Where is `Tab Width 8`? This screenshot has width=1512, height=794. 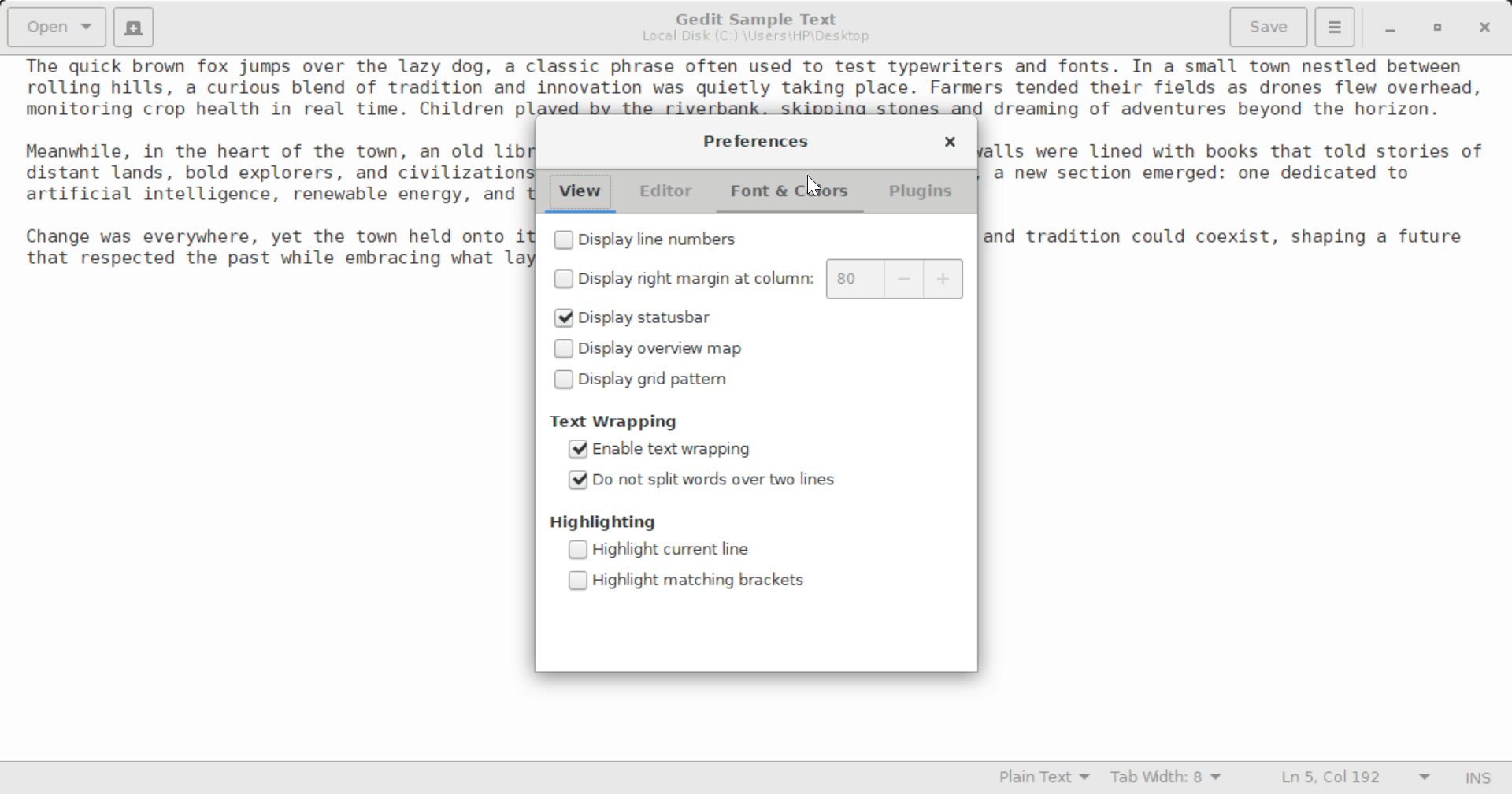 Tab Width 8 is located at coordinates (1163, 779).